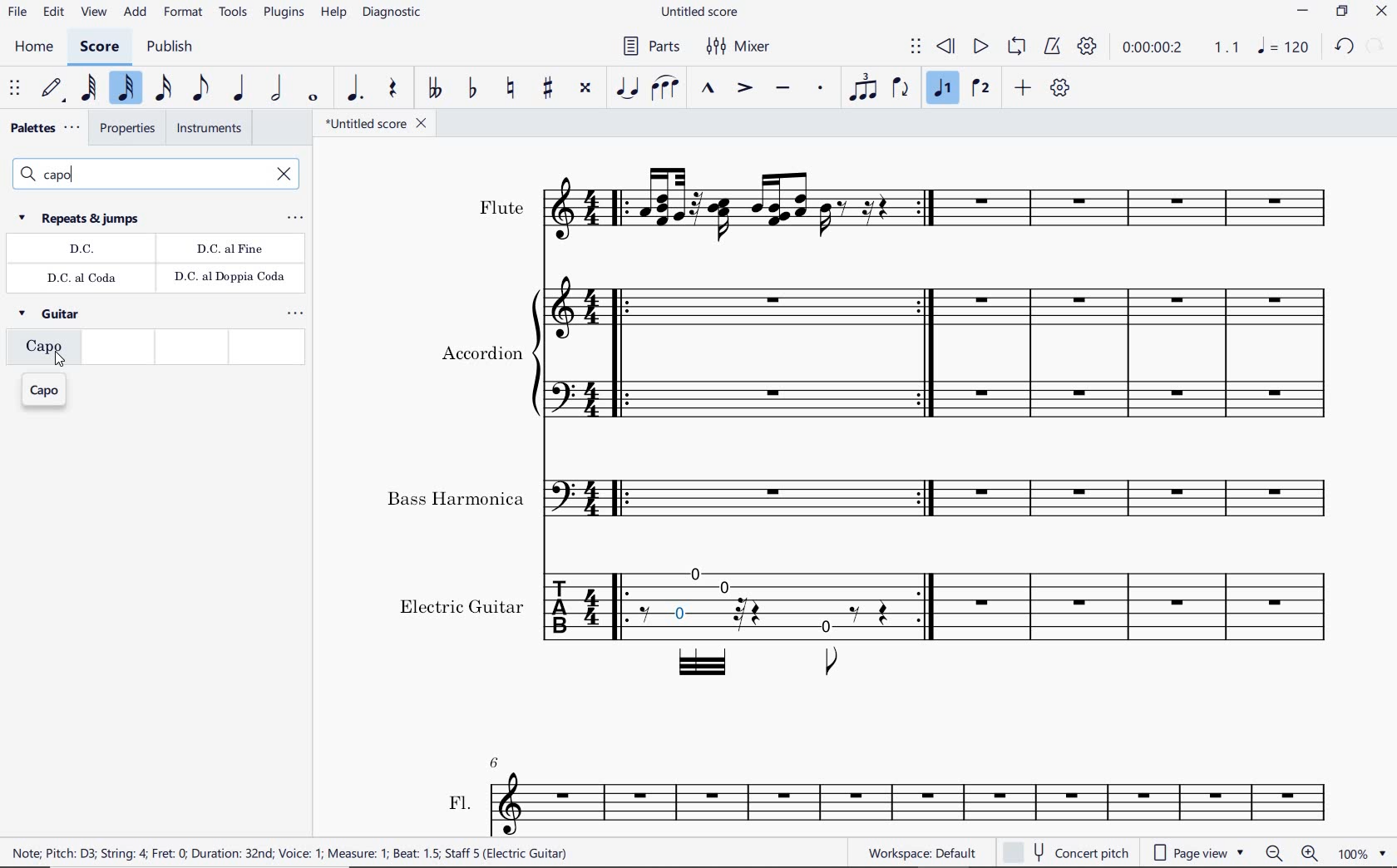 This screenshot has height=868, width=1397. Describe the element at coordinates (894, 796) in the screenshot. I see `FL` at that location.